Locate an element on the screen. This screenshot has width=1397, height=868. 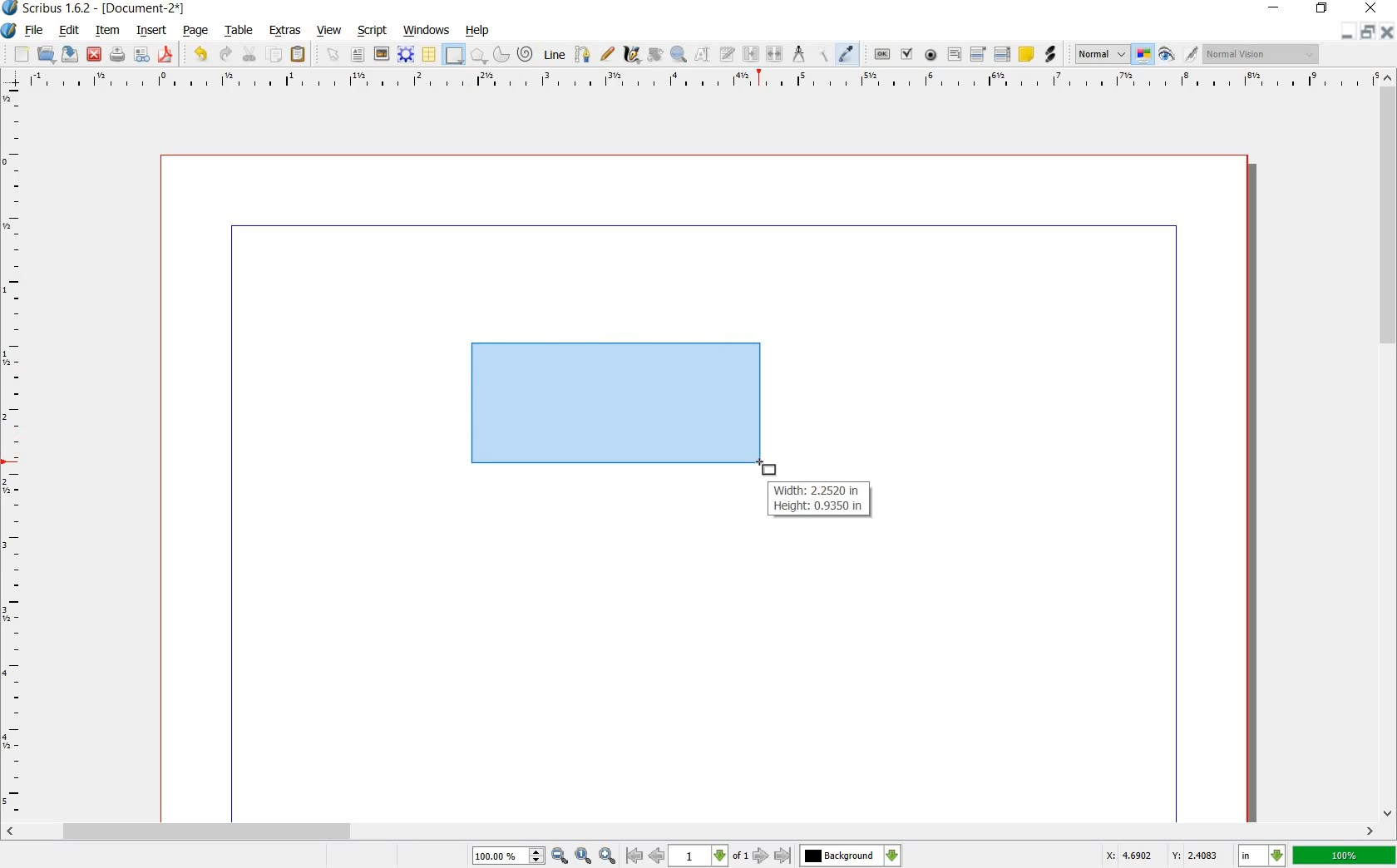
PDF TEXT FIELD is located at coordinates (954, 55).